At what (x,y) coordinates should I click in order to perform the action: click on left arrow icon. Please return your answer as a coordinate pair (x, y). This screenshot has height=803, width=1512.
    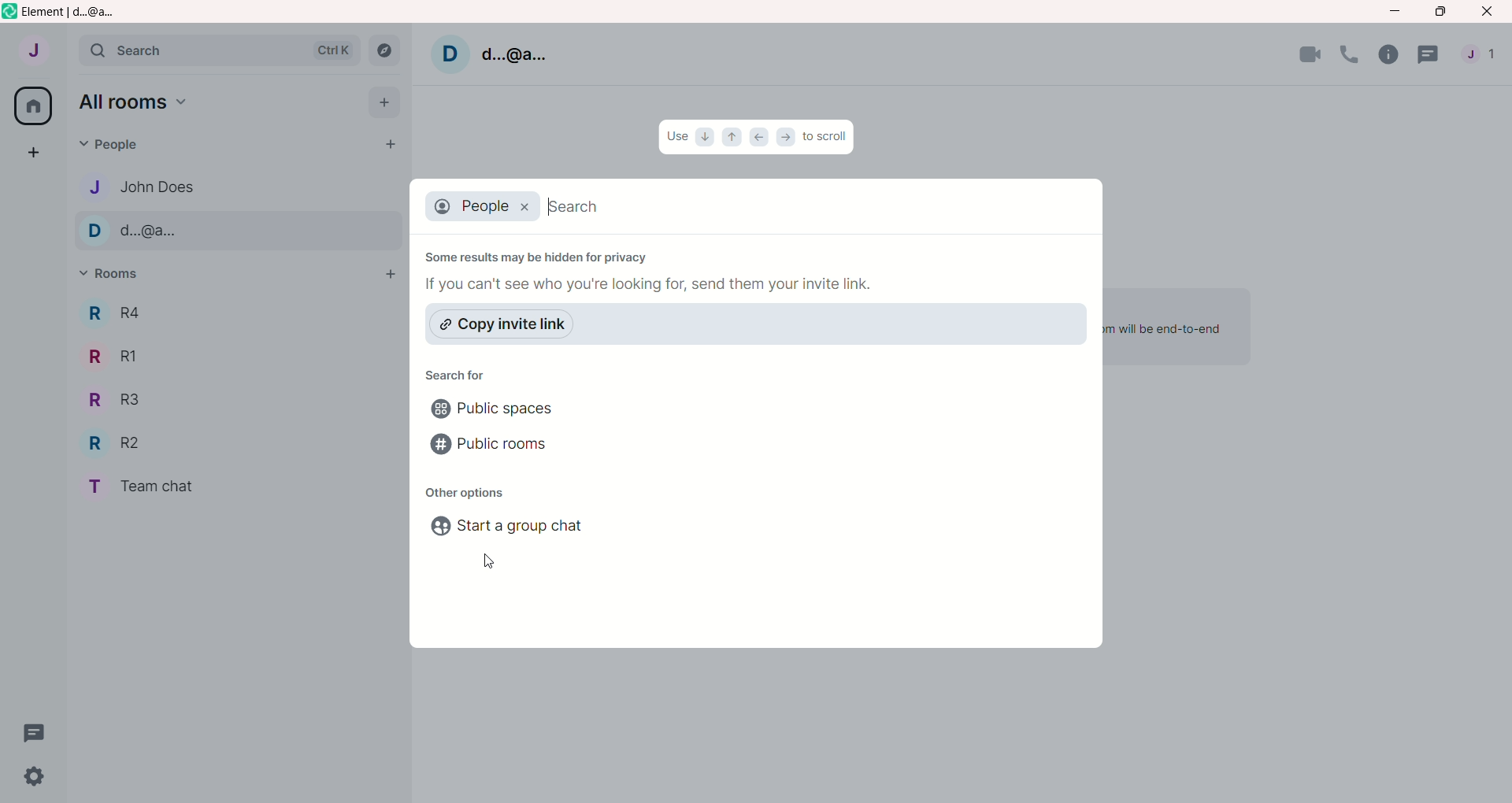
    Looking at the image, I should click on (760, 138).